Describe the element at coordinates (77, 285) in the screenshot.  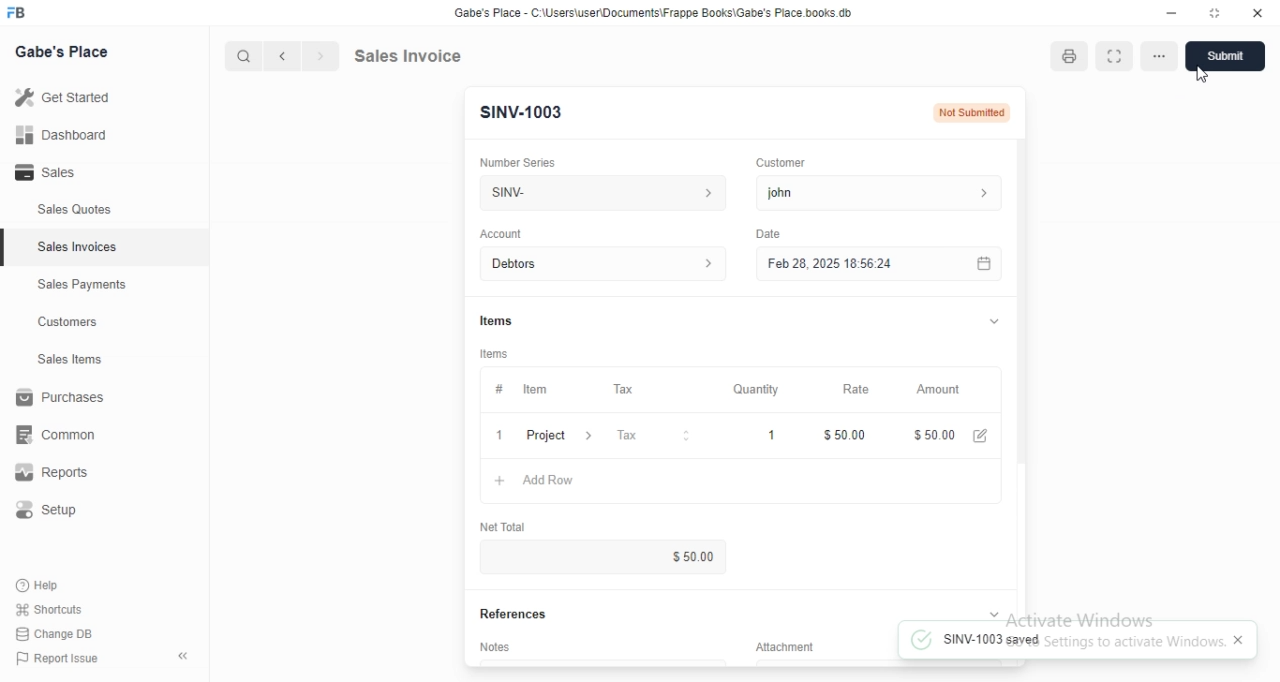
I see `Sales Payments` at that location.